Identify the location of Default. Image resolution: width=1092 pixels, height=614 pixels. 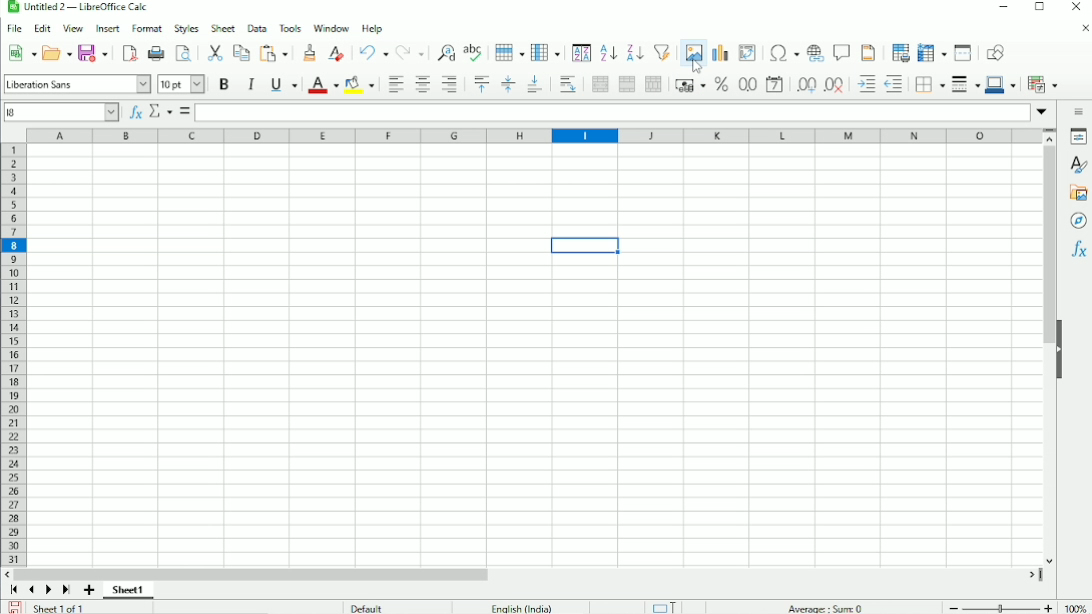
(369, 607).